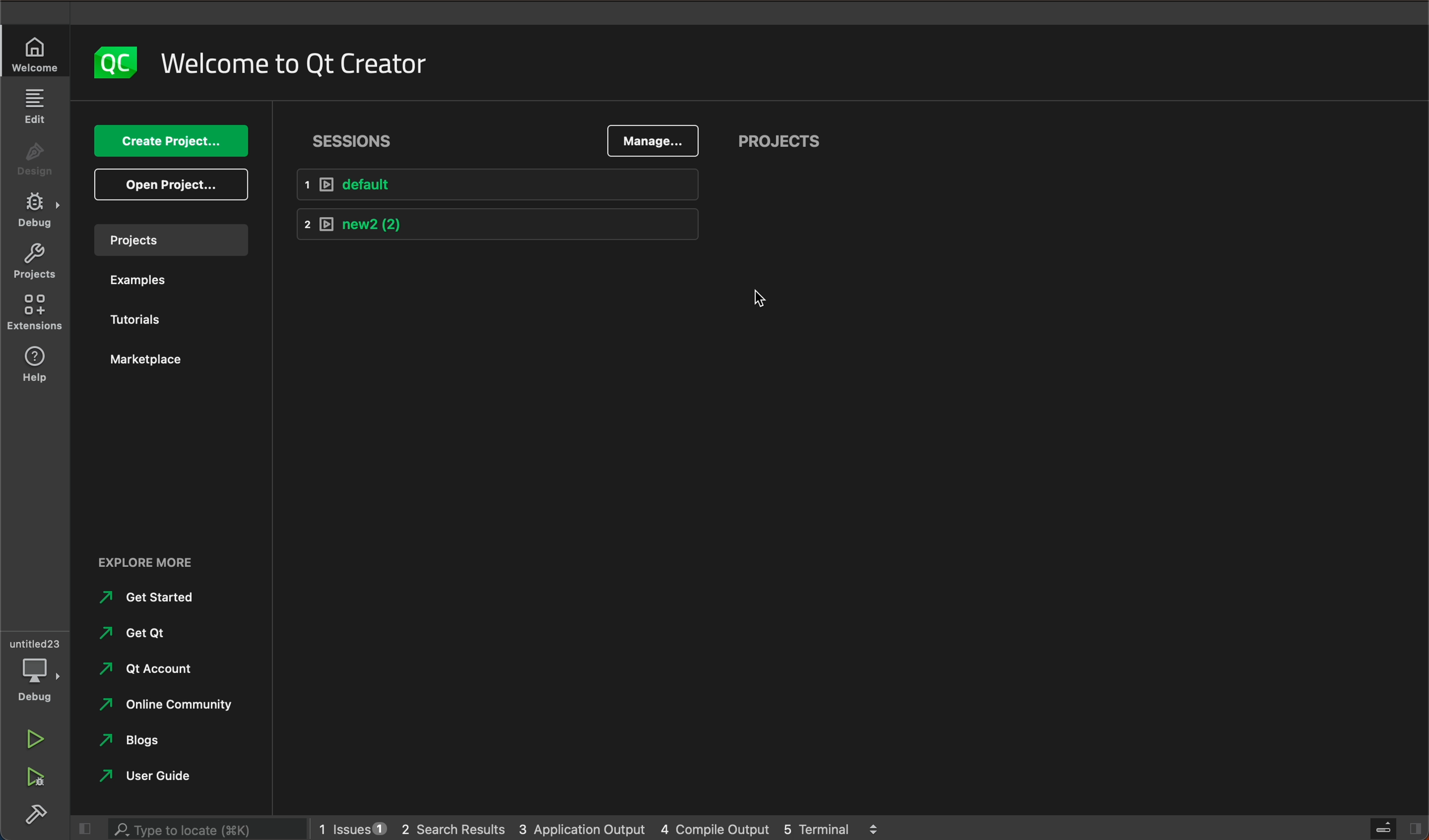  What do you see at coordinates (209, 829) in the screenshot?
I see `search` at bounding box center [209, 829].